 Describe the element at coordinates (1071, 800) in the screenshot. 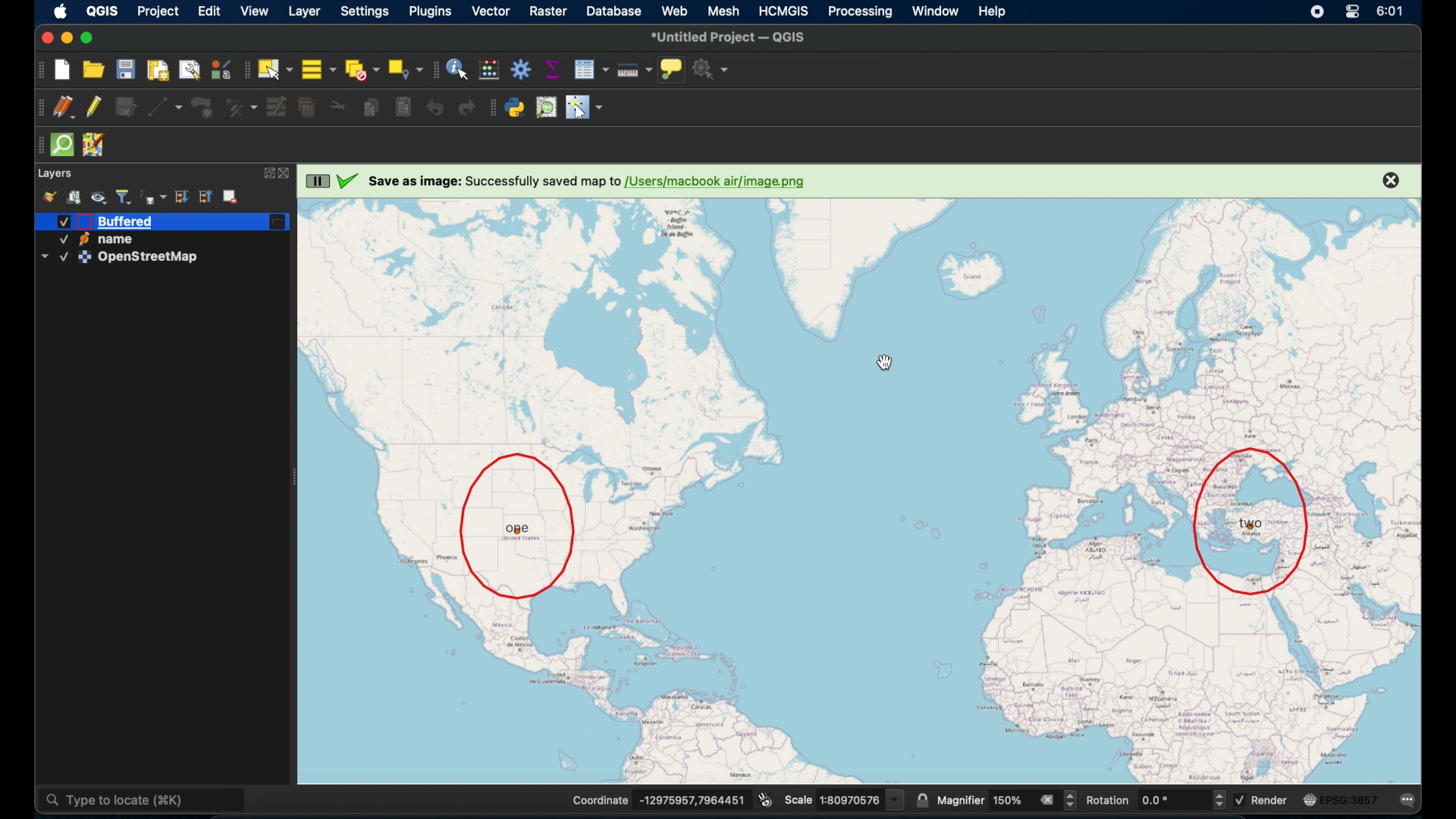

I see `Increase and decrease magnifier value` at that location.